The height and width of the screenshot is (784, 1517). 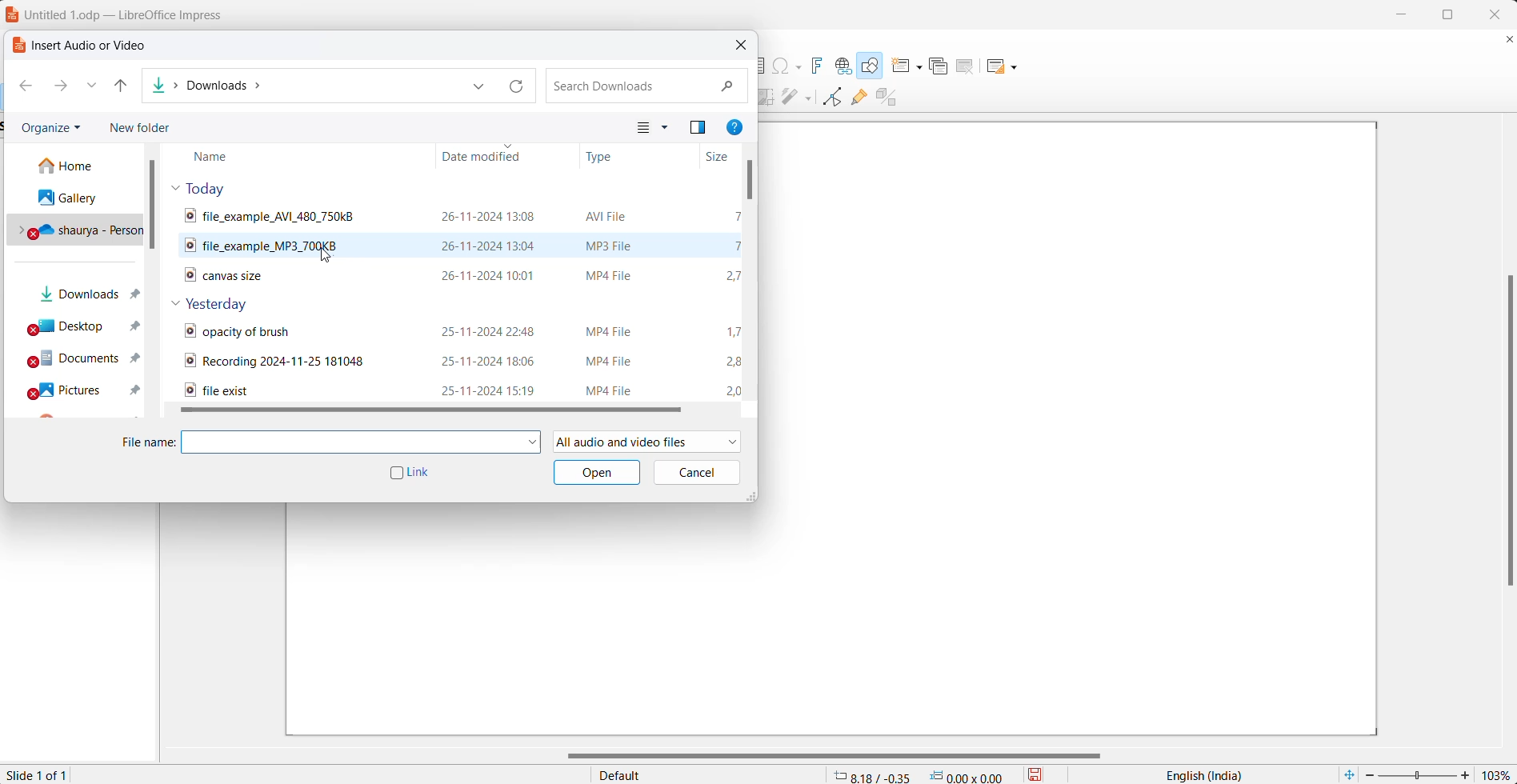 I want to click on cursor and selection placement, so click(x=922, y=774).